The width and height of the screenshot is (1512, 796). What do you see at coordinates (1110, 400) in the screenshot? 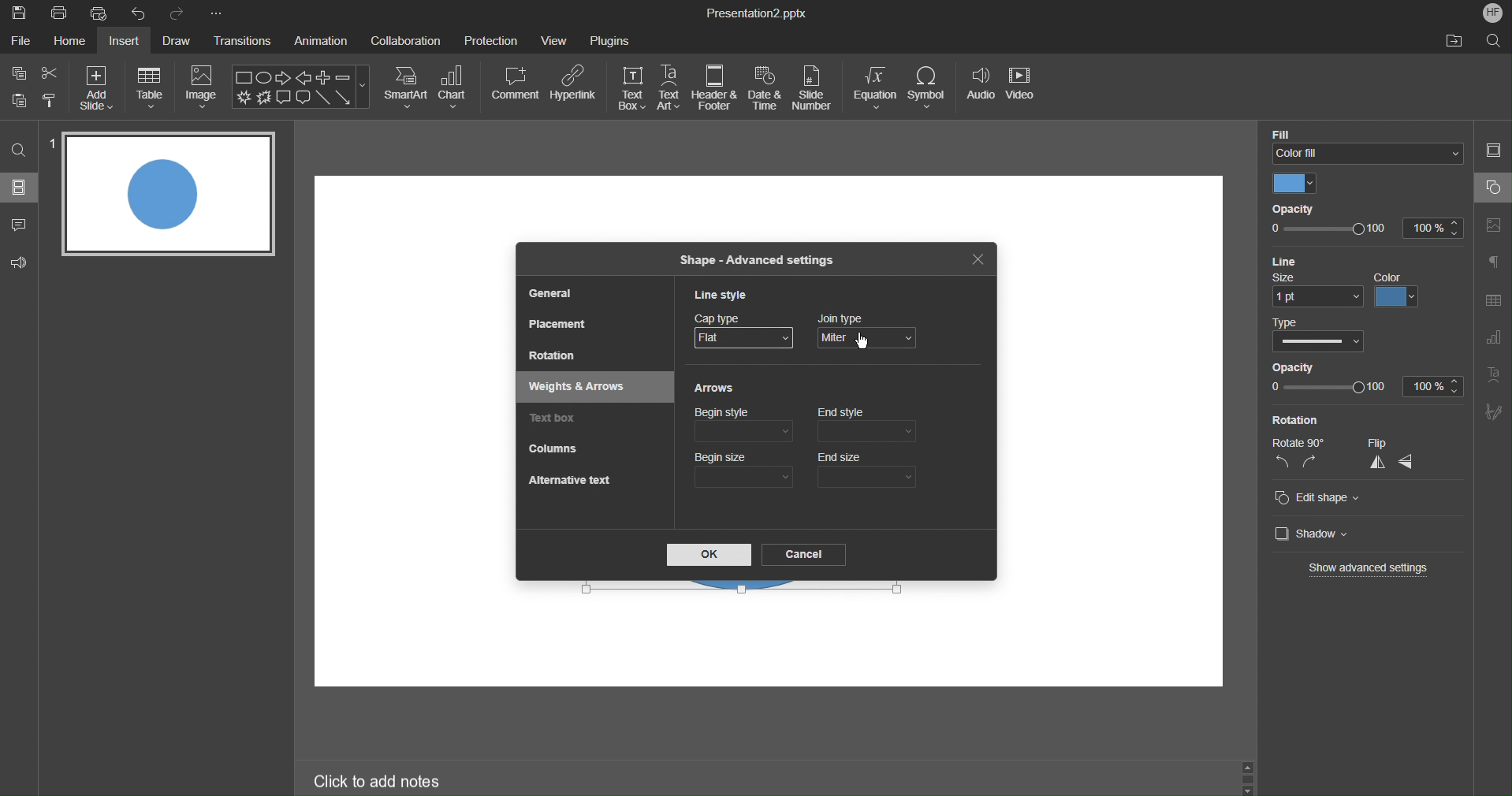
I see `workspace` at bounding box center [1110, 400].